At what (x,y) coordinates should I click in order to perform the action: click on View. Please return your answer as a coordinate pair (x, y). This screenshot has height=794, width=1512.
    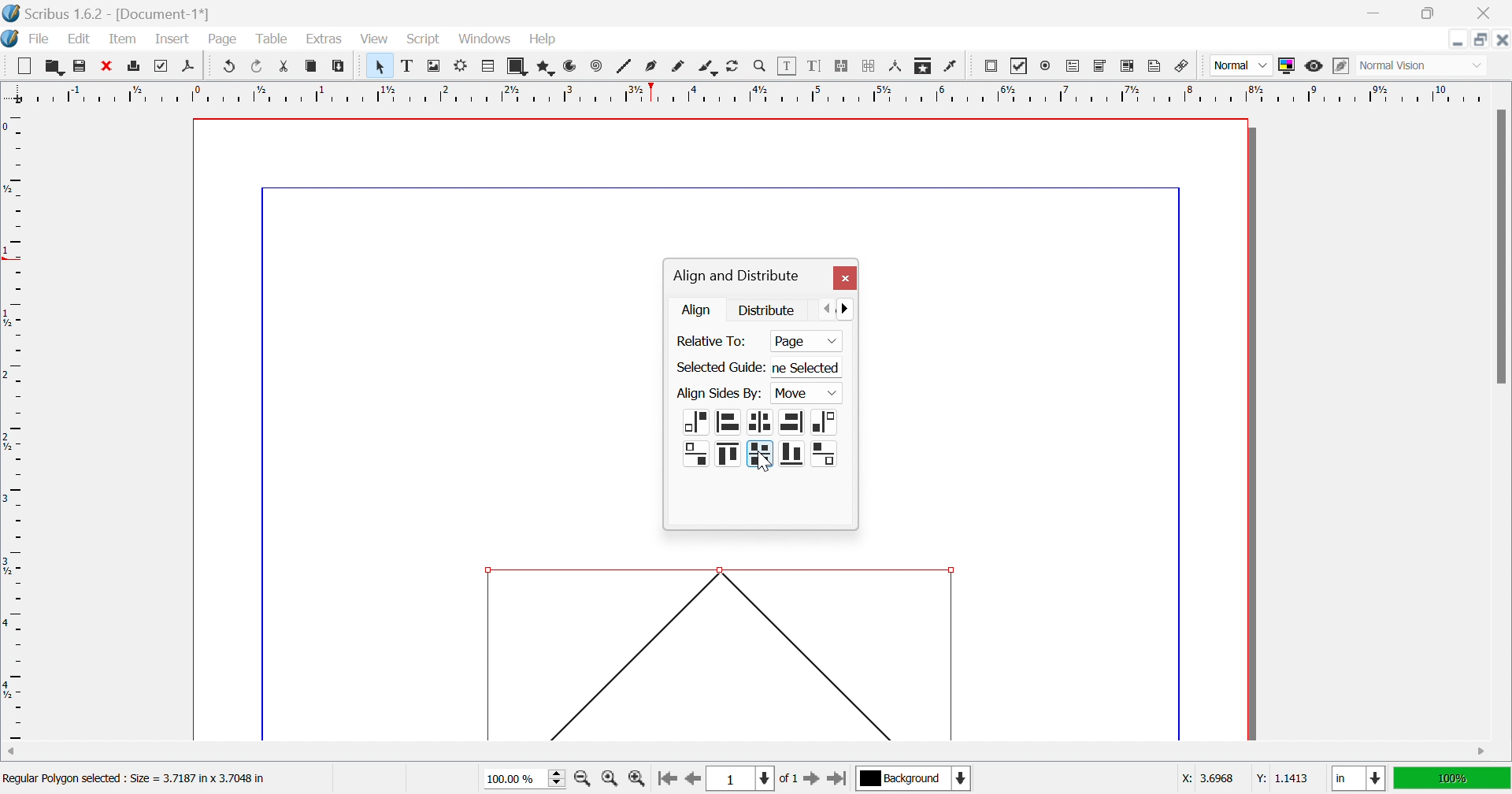
    Looking at the image, I should click on (374, 39).